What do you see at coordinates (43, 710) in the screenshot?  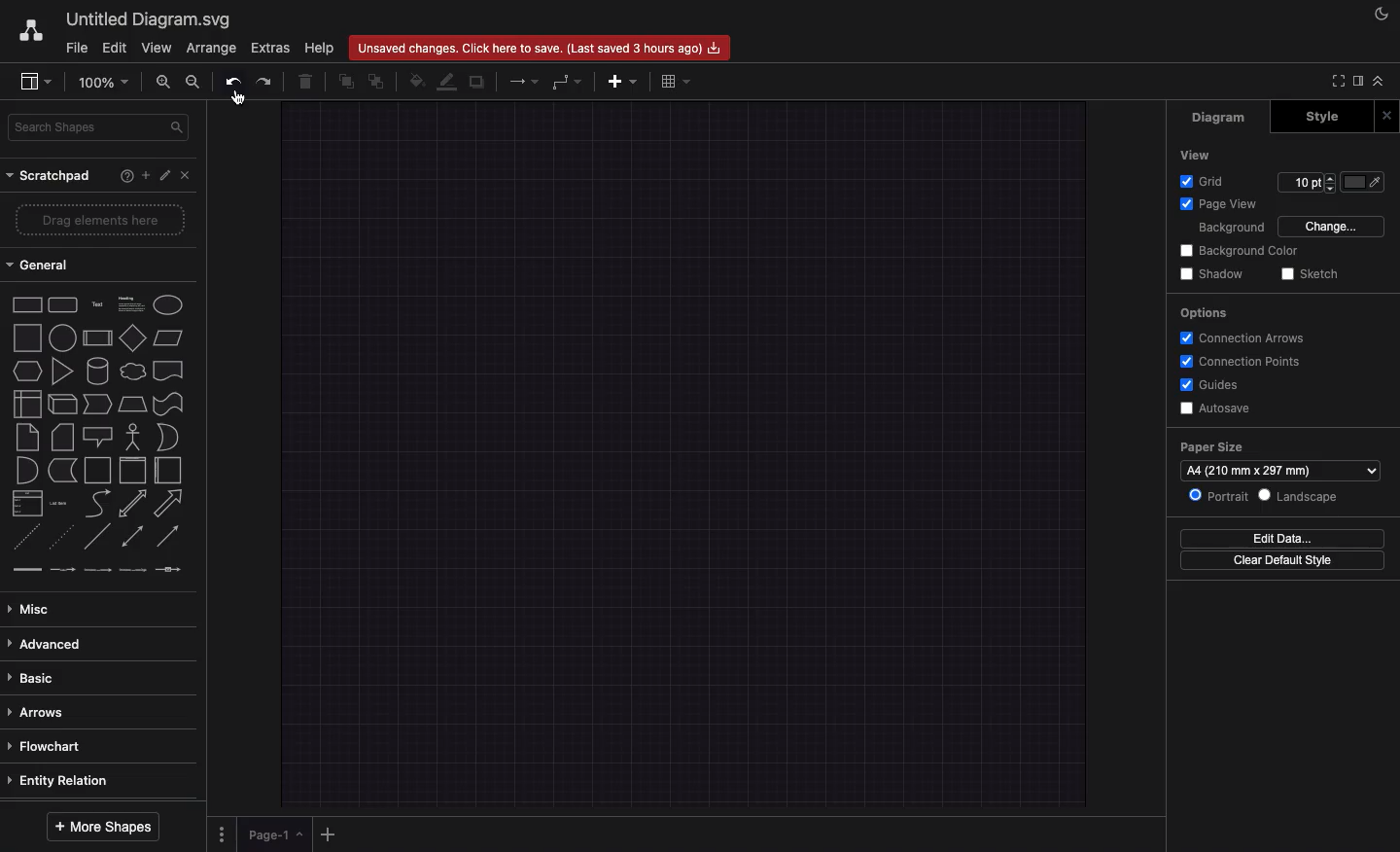 I see `Arrows` at bounding box center [43, 710].